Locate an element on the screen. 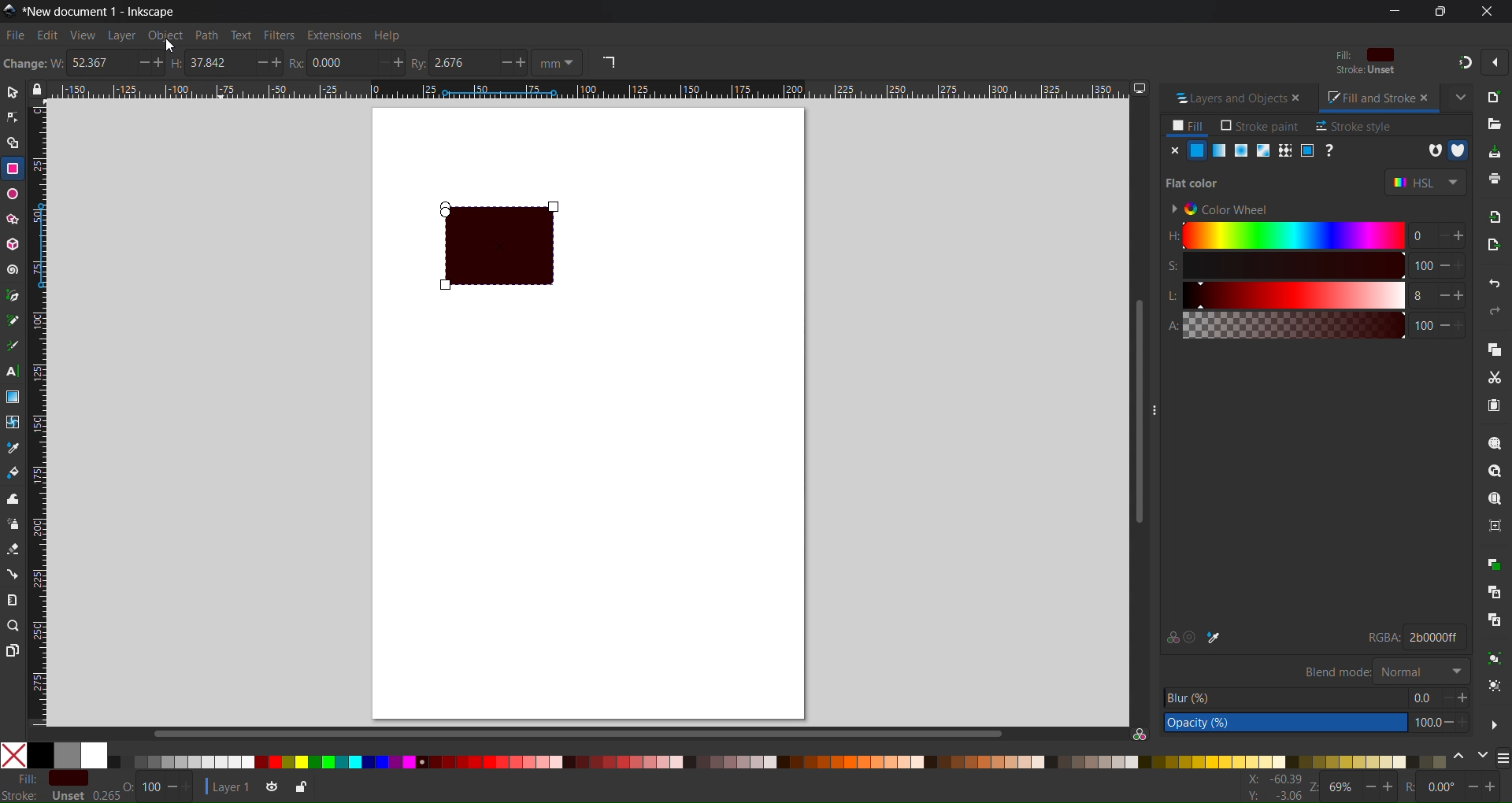 The image size is (1512, 803). increase blur is located at coordinates (1463, 697).